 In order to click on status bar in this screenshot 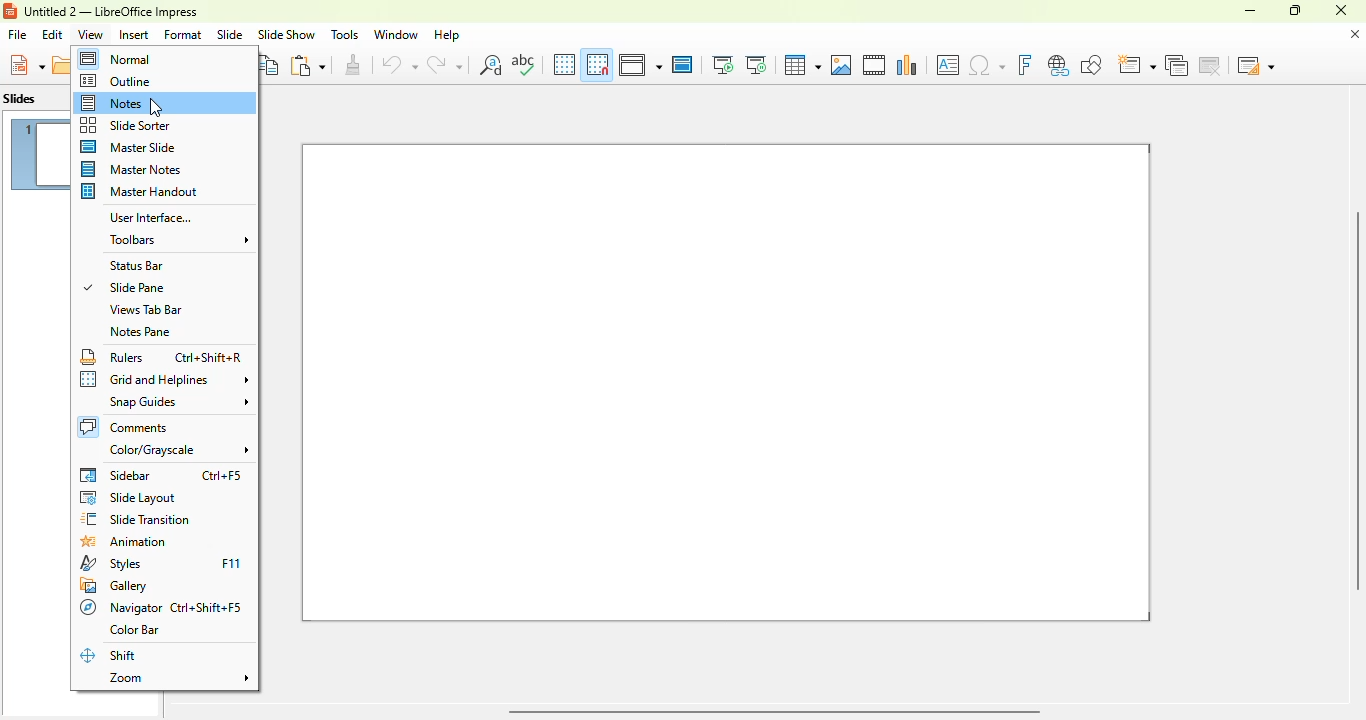, I will do `click(138, 265)`.